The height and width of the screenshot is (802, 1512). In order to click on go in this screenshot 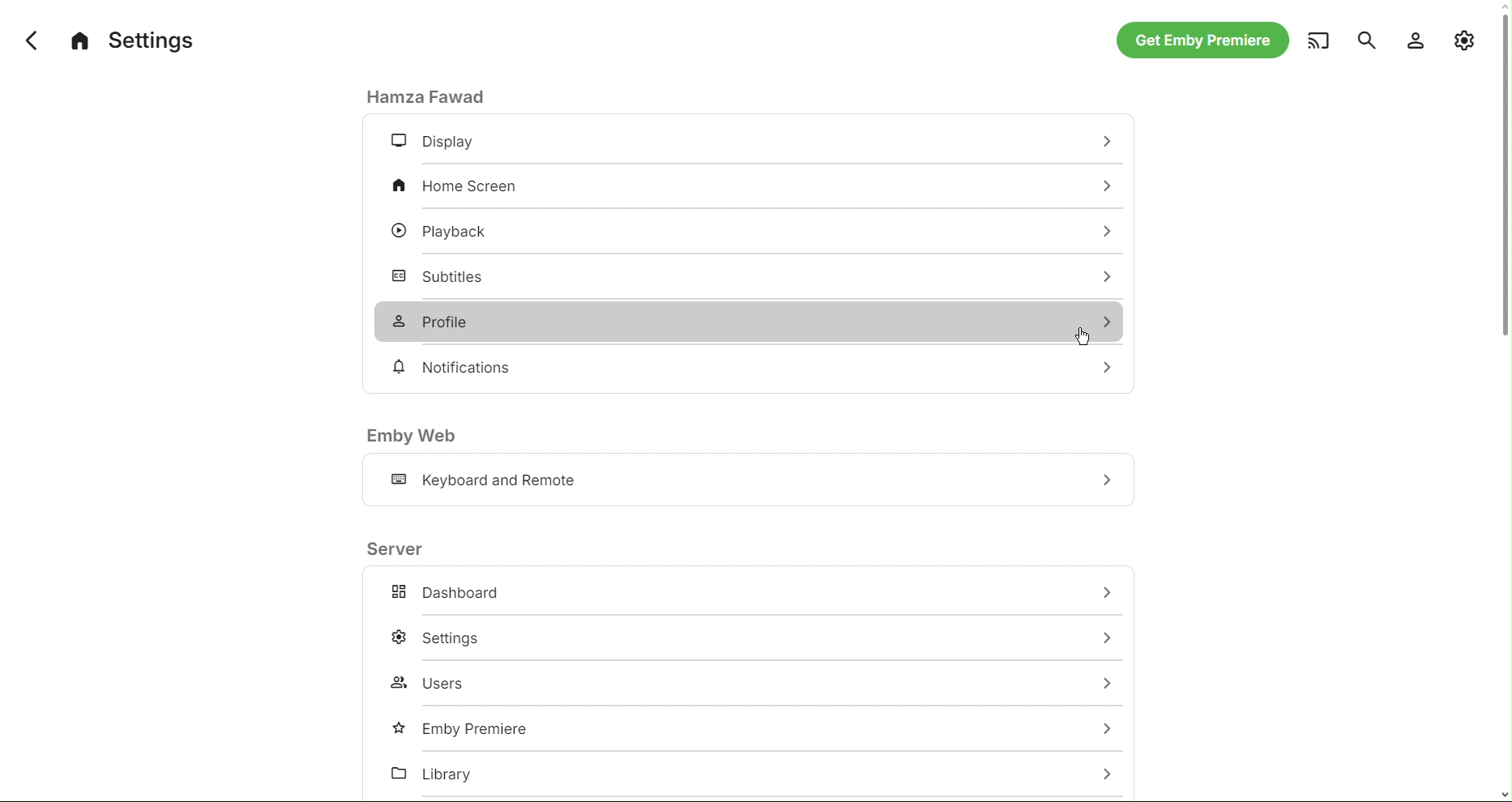, I will do `click(1104, 275)`.